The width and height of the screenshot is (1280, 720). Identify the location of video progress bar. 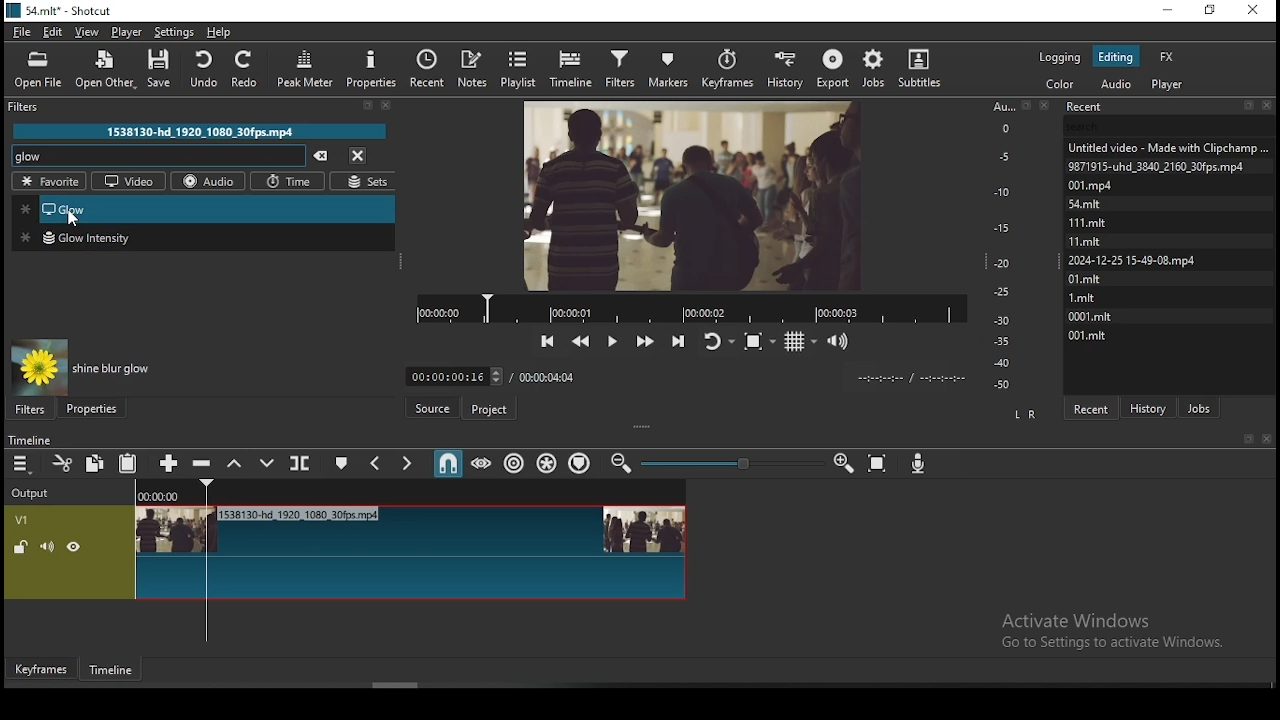
(691, 307).